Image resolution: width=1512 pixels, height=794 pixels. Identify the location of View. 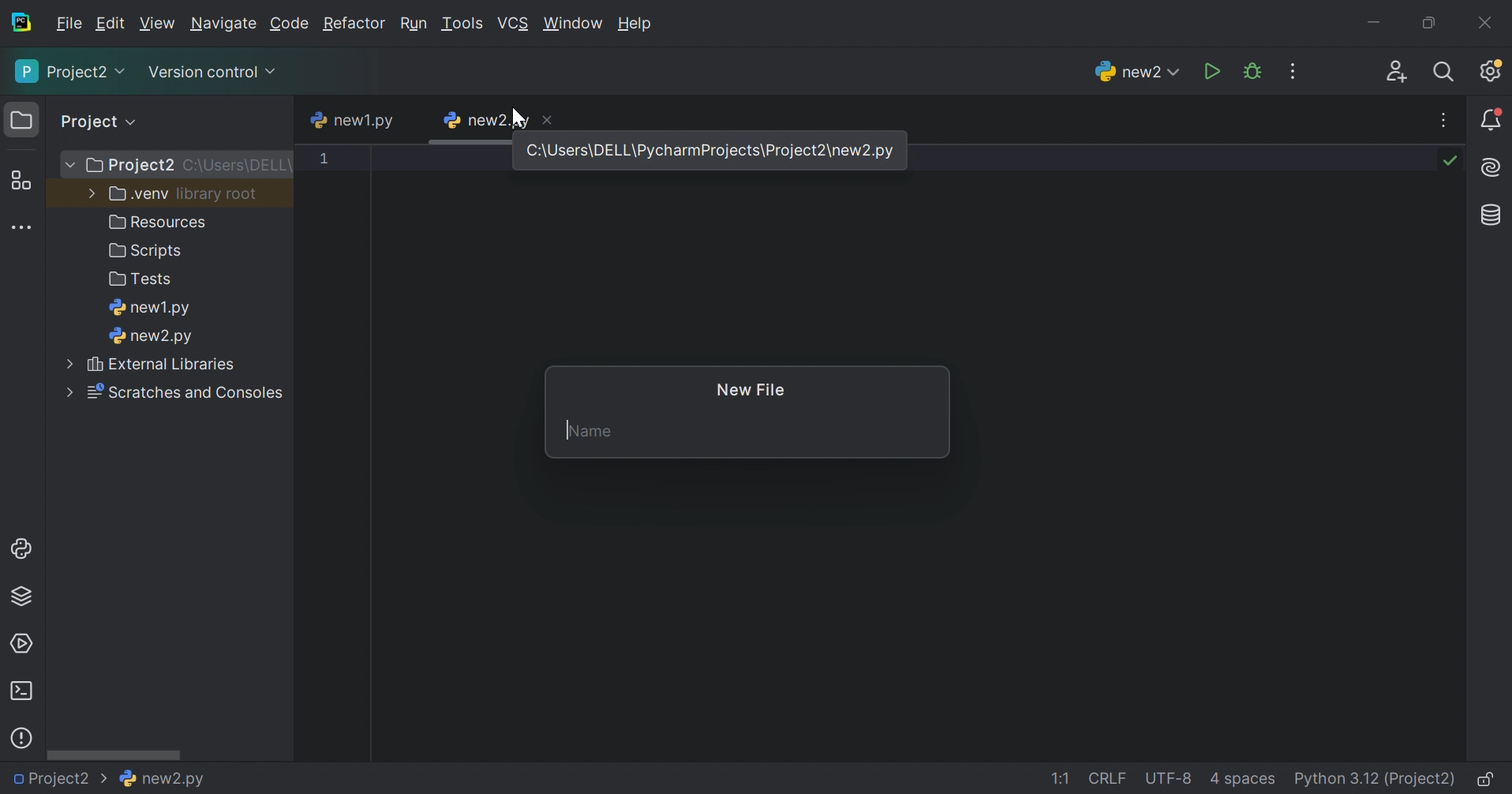
(157, 23).